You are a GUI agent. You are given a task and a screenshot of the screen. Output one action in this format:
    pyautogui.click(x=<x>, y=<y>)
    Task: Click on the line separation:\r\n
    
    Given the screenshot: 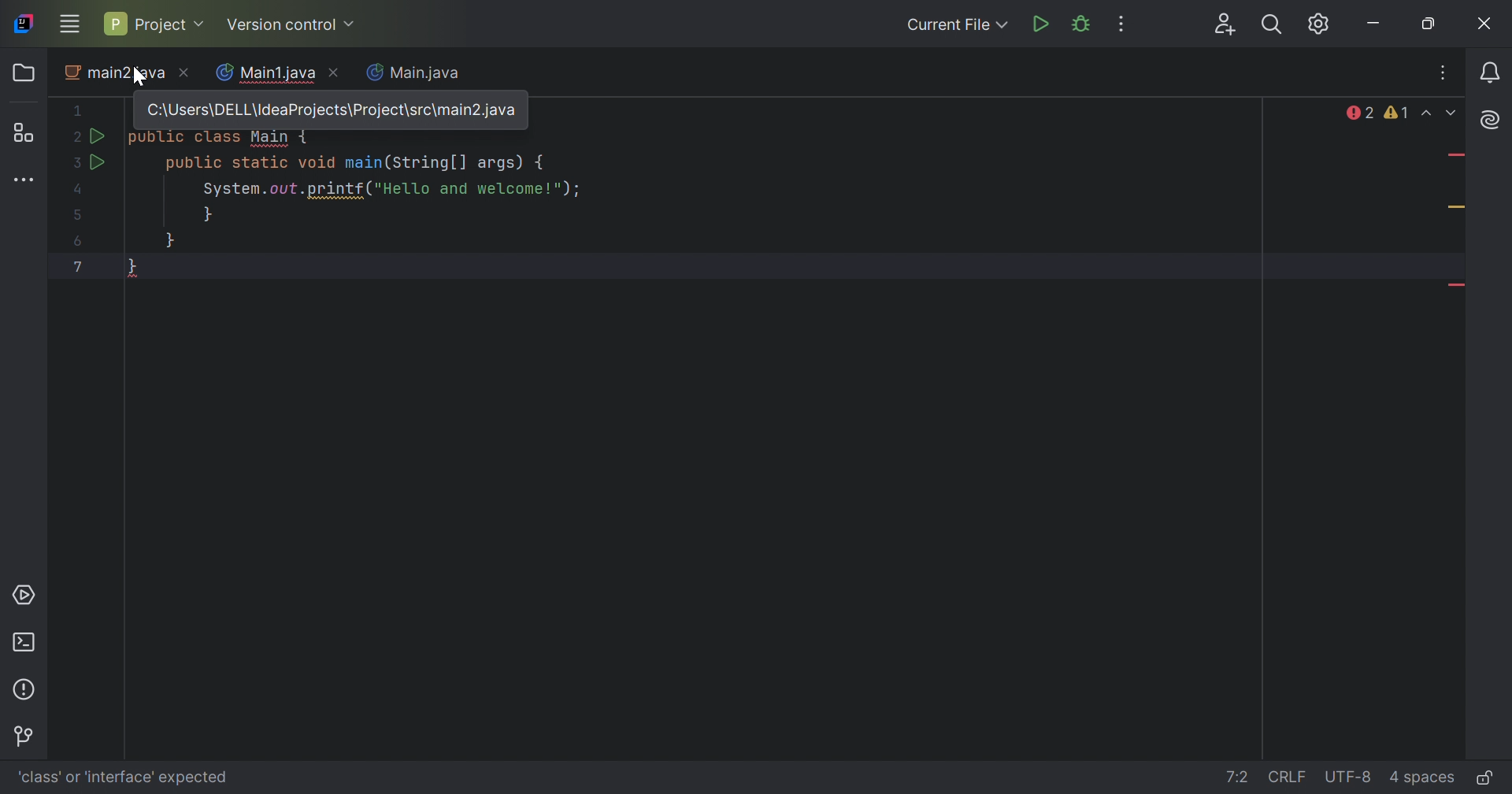 What is the action you would take?
    pyautogui.click(x=1288, y=777)
    